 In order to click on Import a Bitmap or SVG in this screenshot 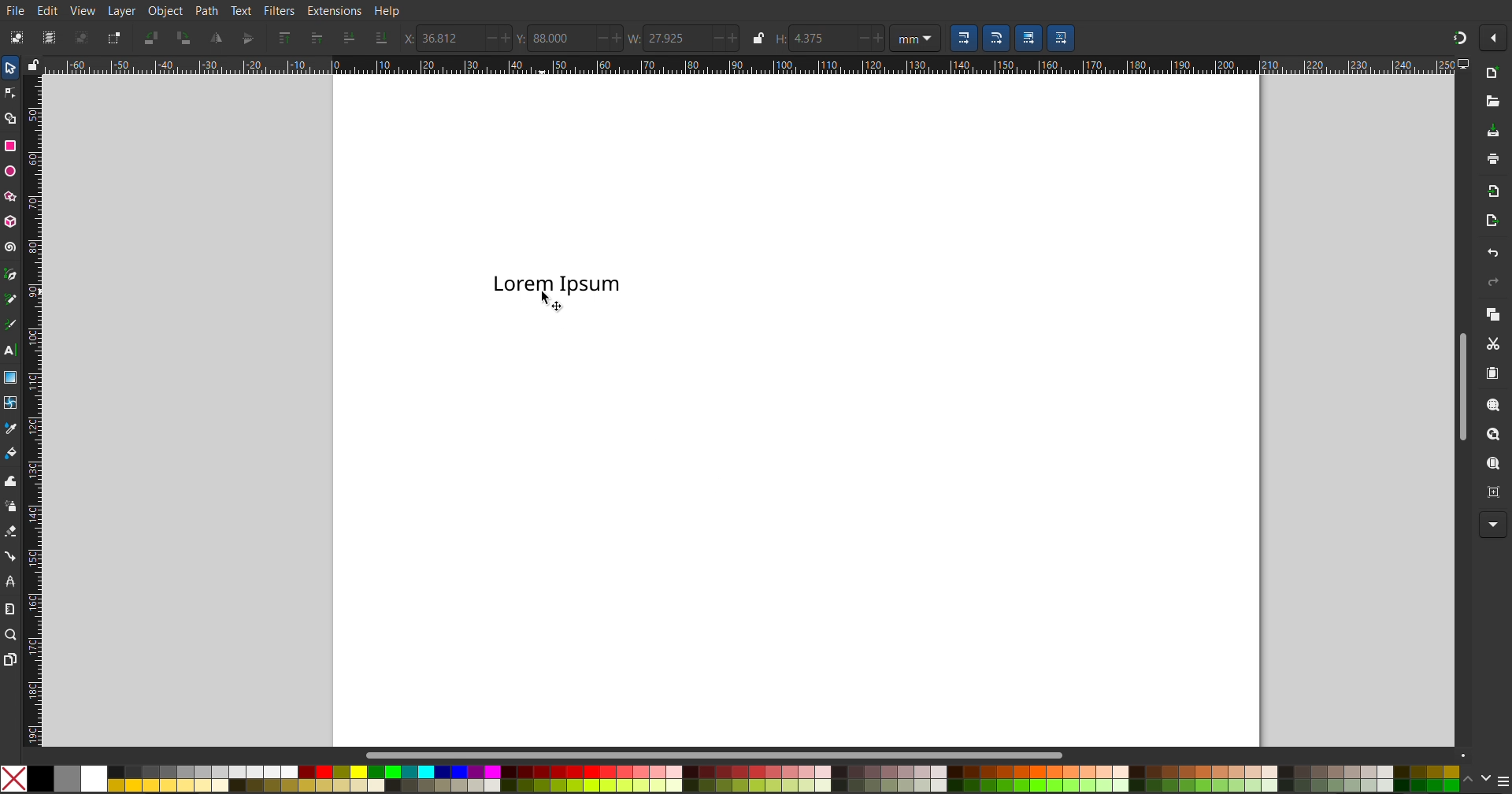, I will do `click(1490, 191)`.